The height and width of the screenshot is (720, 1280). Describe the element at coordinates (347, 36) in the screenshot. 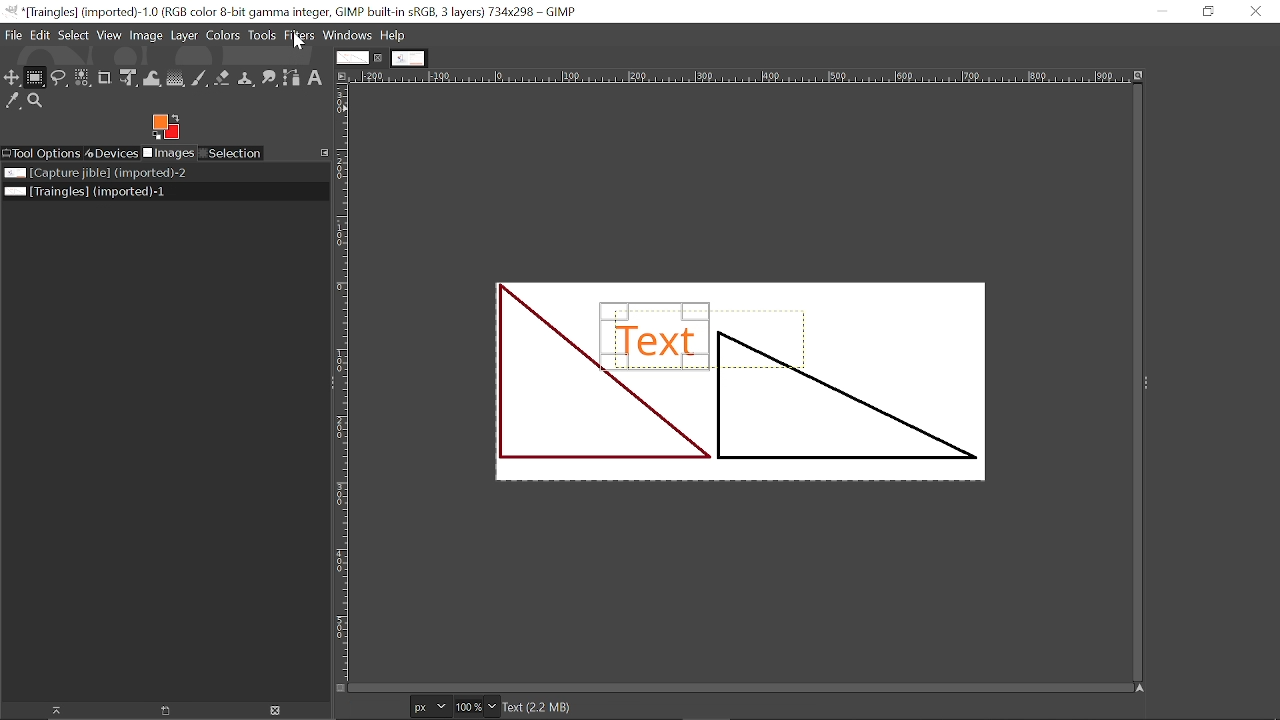

I see `Windows` at that location.